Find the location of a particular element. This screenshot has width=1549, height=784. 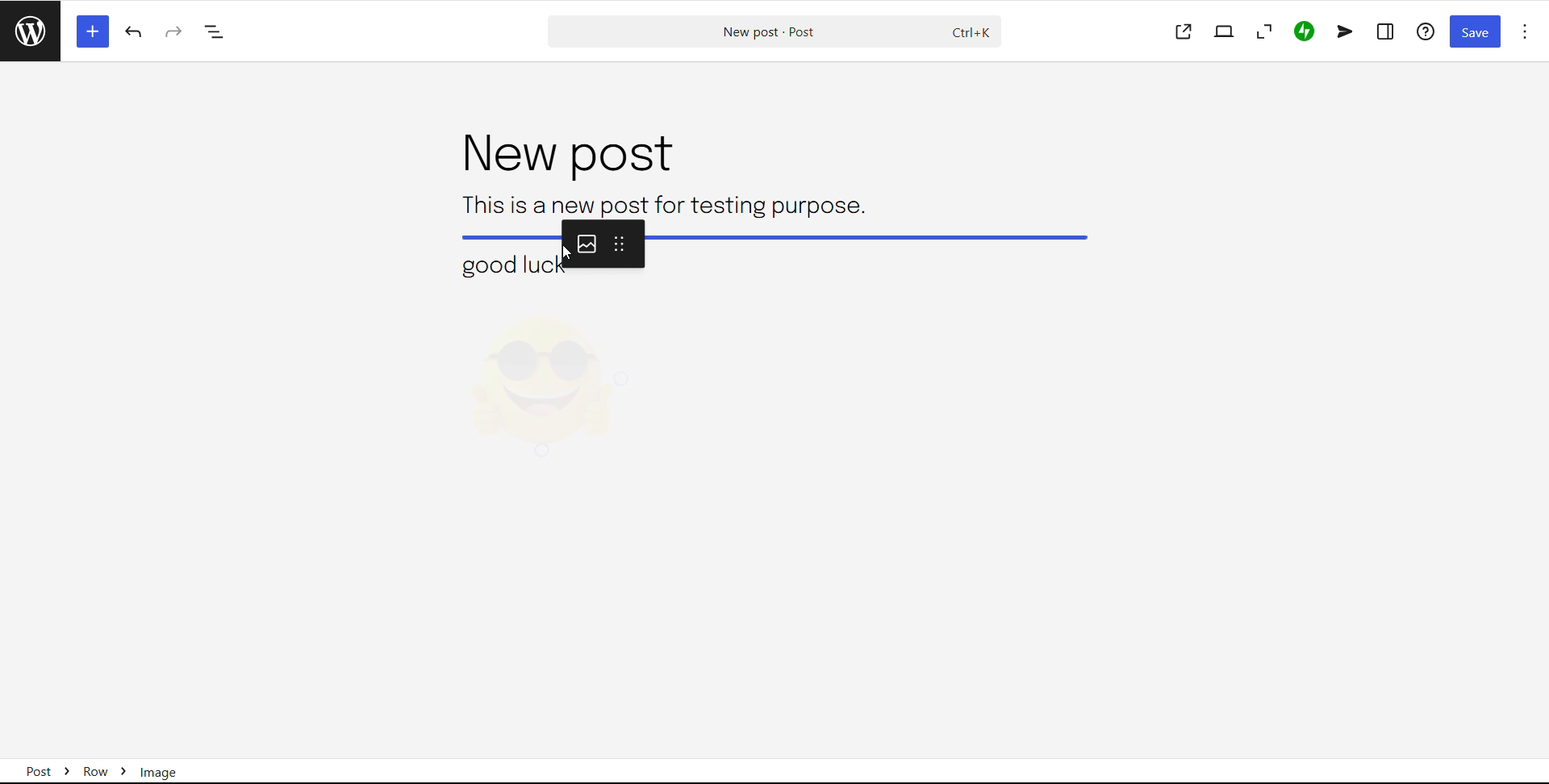

text block 1 is located at coordinates (660, 204).